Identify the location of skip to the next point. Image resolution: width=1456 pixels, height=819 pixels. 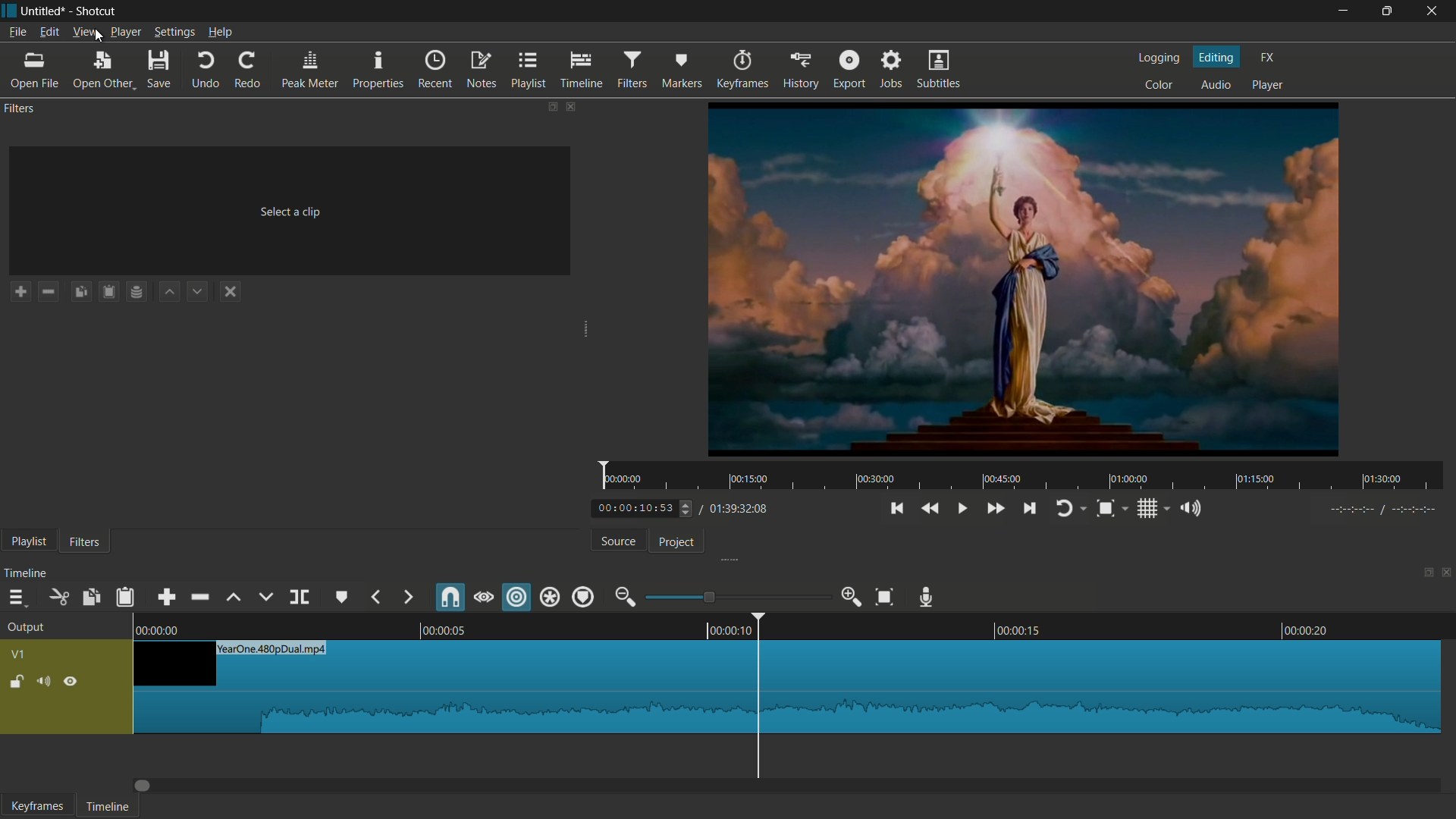
(1030, 510).